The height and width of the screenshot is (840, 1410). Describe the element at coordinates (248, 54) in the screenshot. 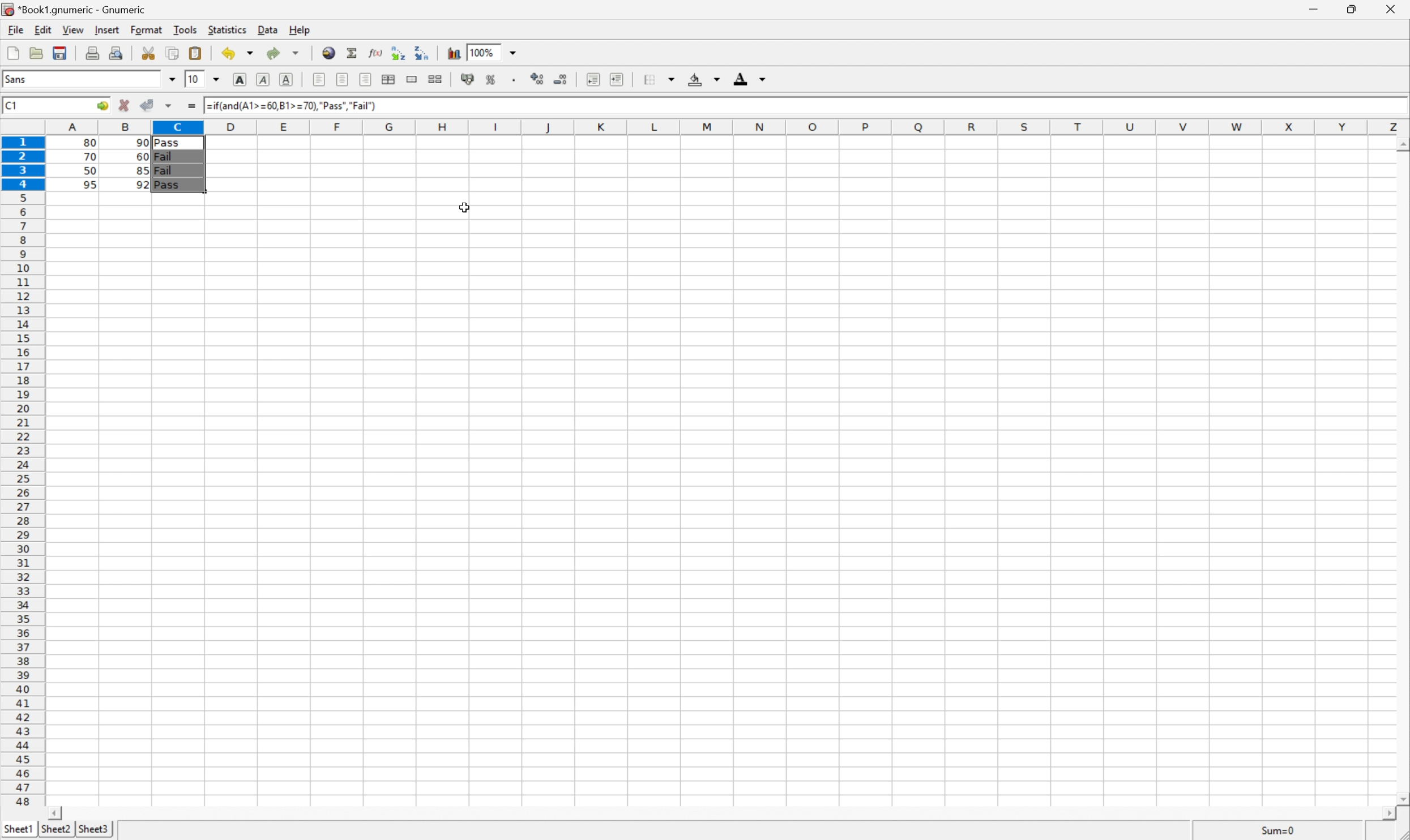

I see `Drop Down` at that location.